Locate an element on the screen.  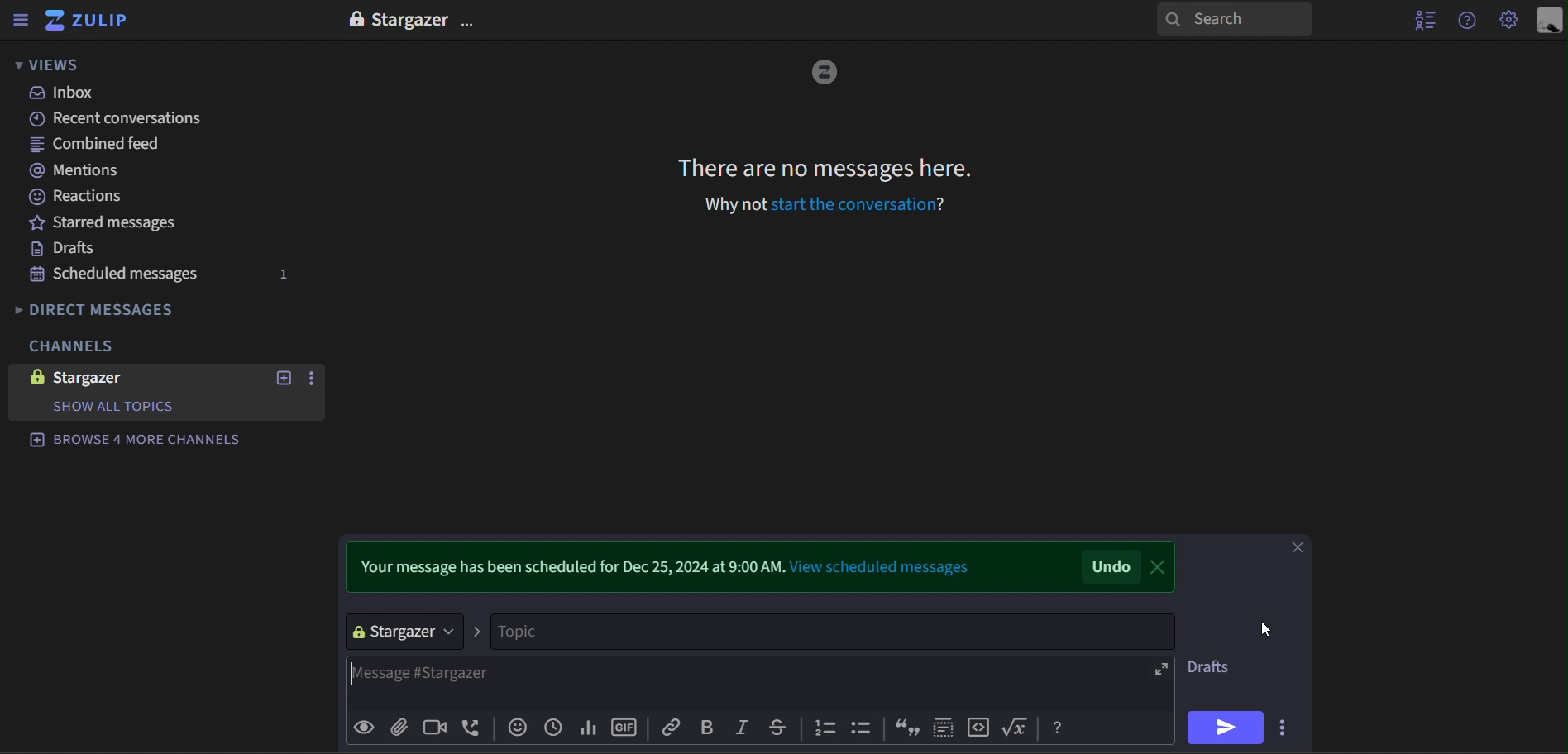
get help is located at coordinates (1469, 21).